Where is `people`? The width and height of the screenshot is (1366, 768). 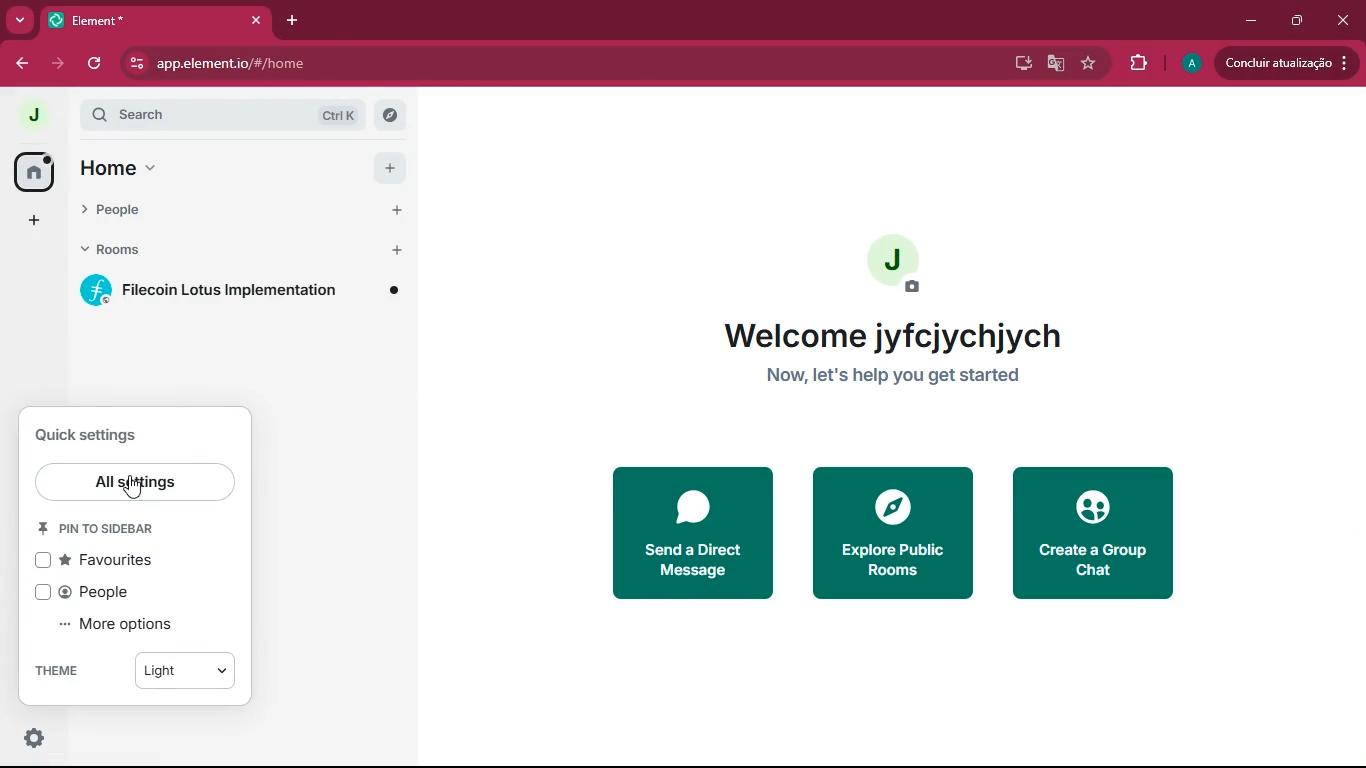 people is located at coordinates (102, 591).